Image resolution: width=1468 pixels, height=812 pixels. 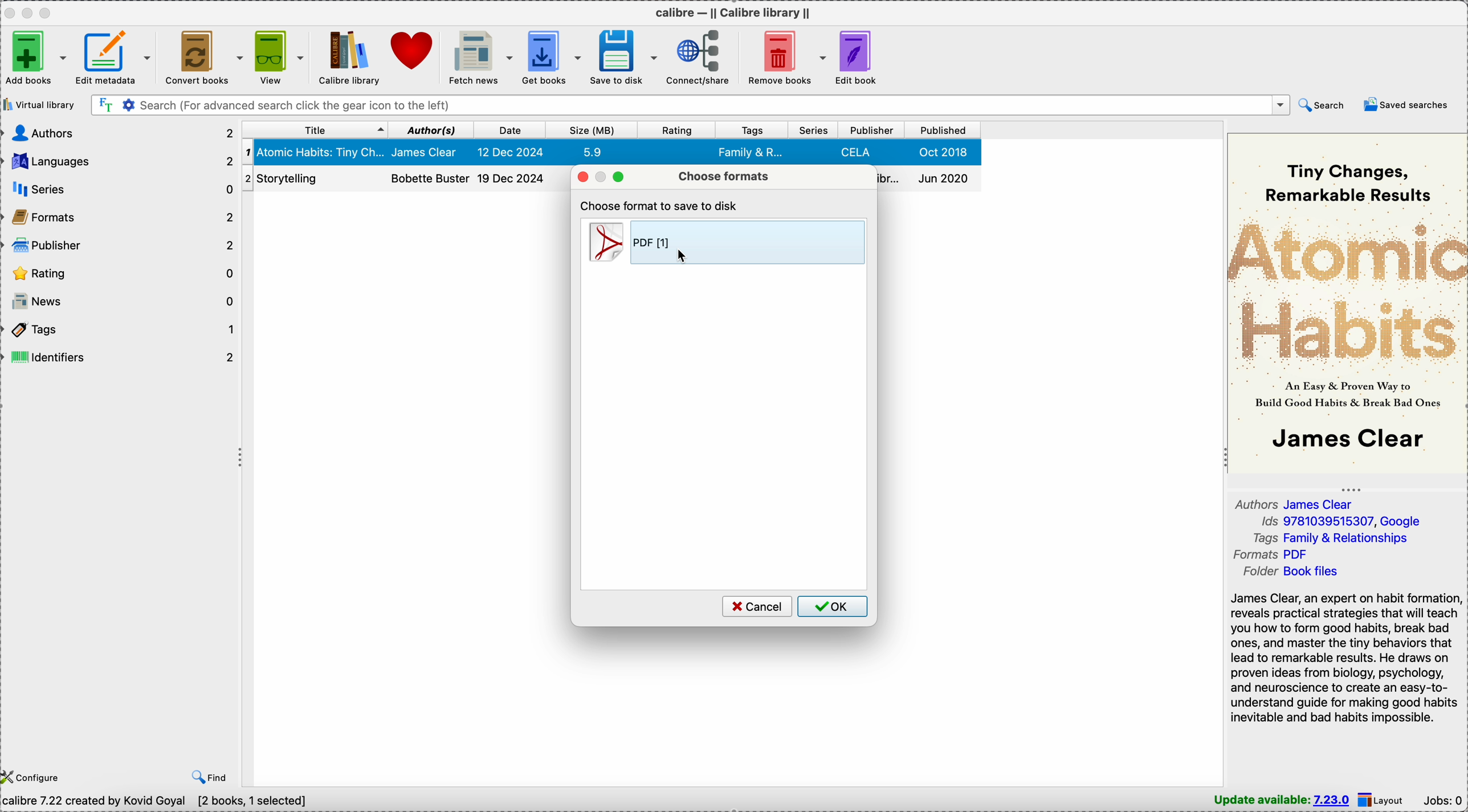 What do you see at coordinates (688, 105) in the screenshot?
I see `search bar` at bounding box center [688, 105].